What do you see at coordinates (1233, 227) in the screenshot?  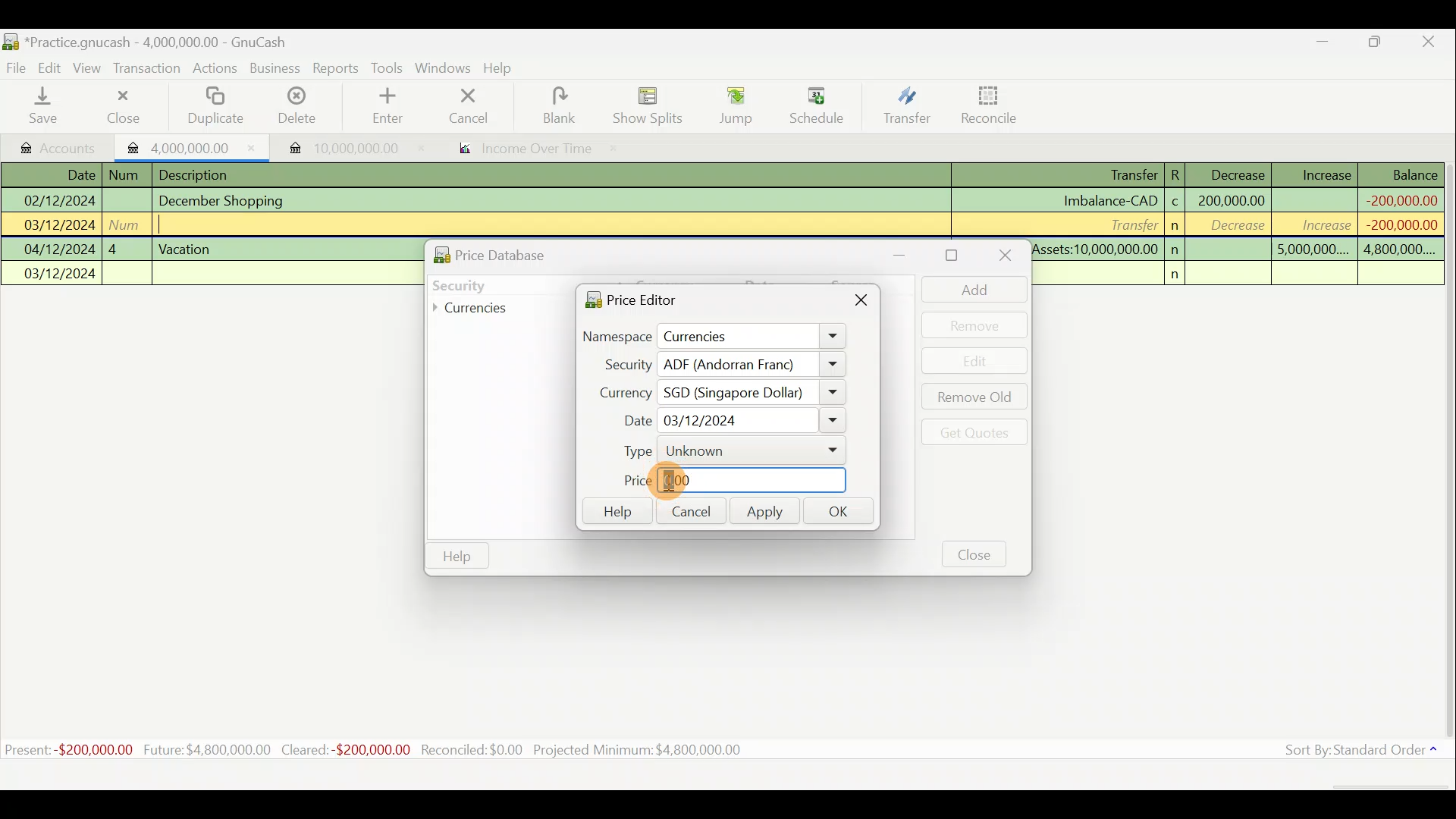 I see `decrease` at bounding box center [1233, 227].